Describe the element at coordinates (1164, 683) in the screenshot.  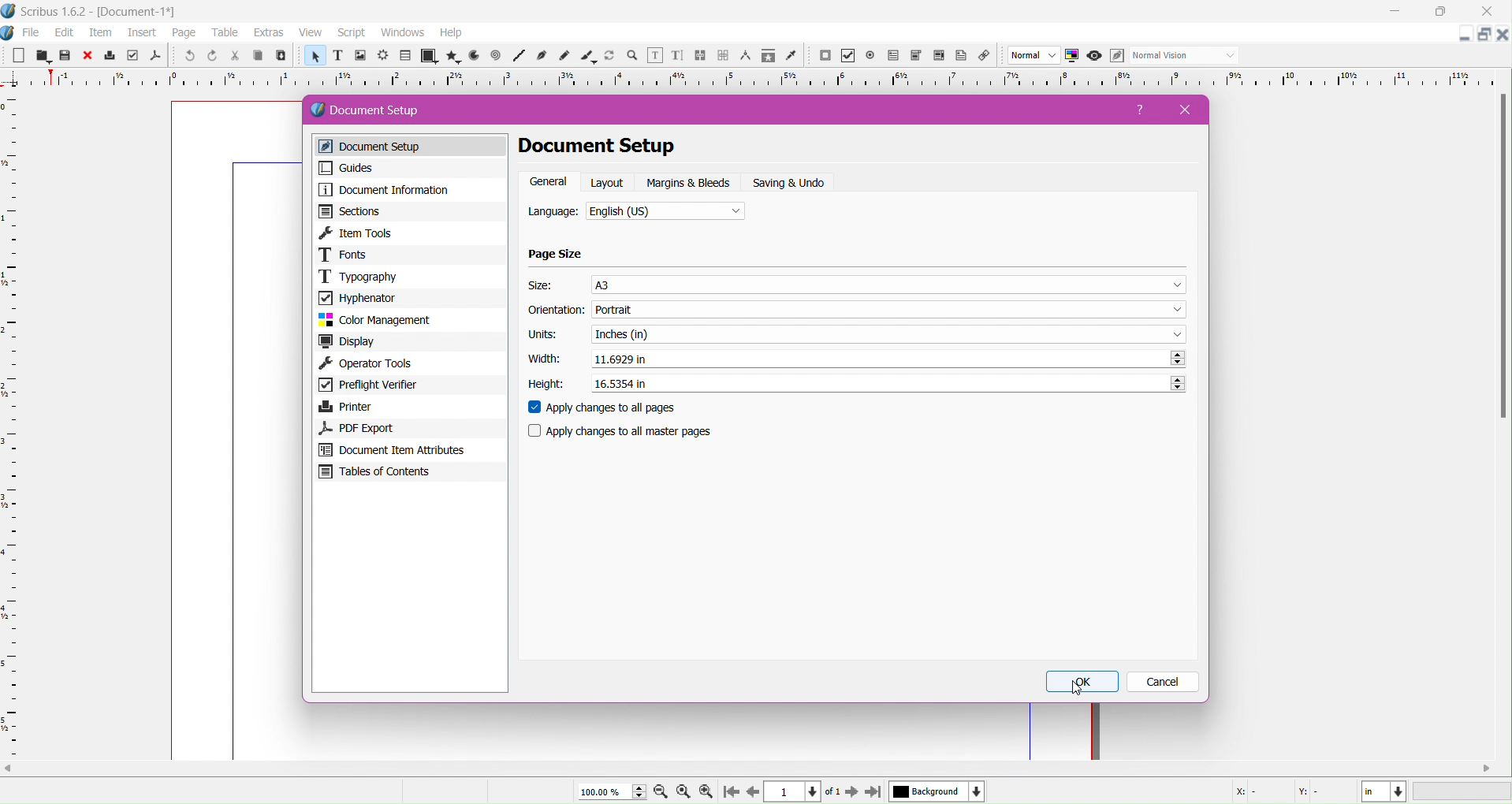
I see `Cancel` at that location.